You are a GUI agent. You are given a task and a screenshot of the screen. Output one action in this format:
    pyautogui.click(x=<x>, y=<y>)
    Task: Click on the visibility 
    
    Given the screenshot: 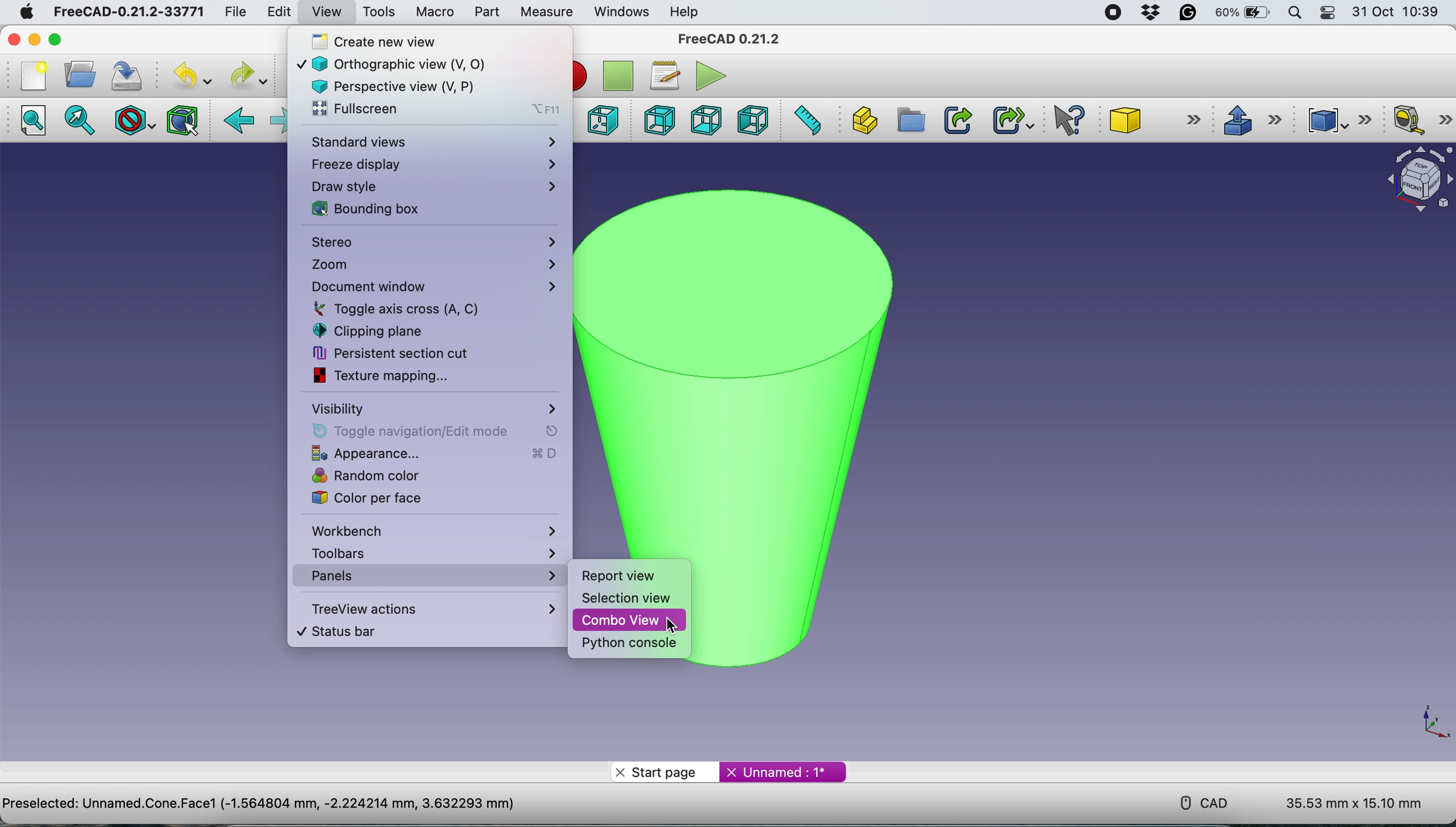 What is the action you would take?
    pyautogui.click(x=432, y=408)
    